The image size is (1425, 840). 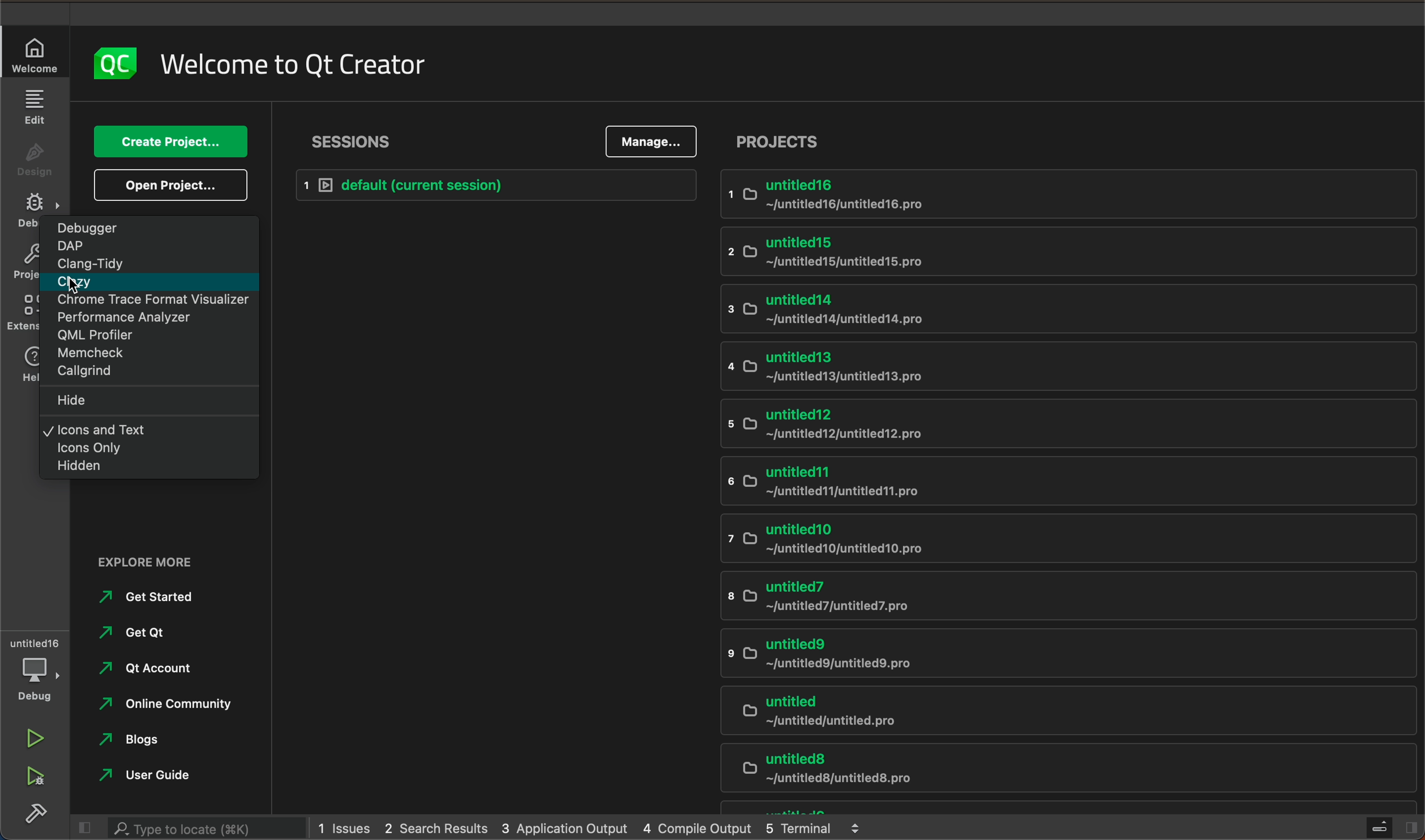 What do you see at coordinates (36, 737) in the screenshot?
I see `run` at bounding box center [36, 737].